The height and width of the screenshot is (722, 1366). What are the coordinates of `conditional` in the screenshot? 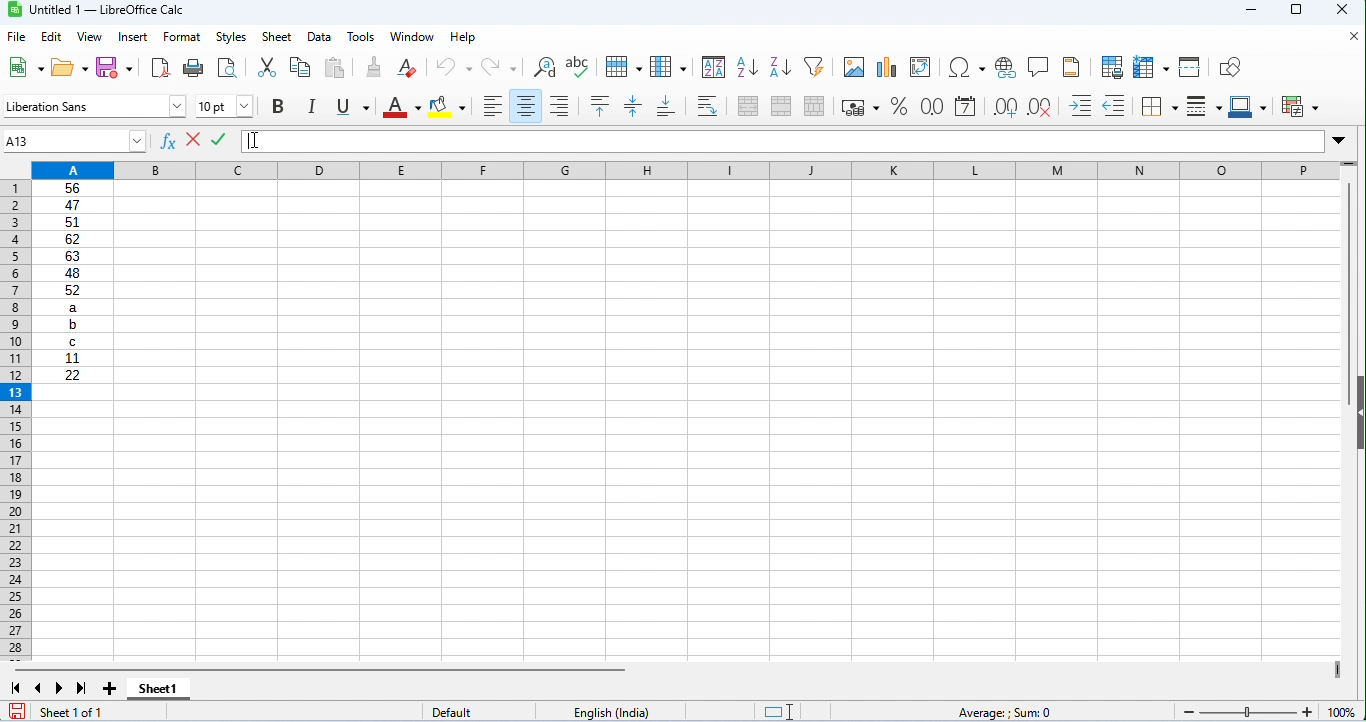 It's located at (1299, 105).